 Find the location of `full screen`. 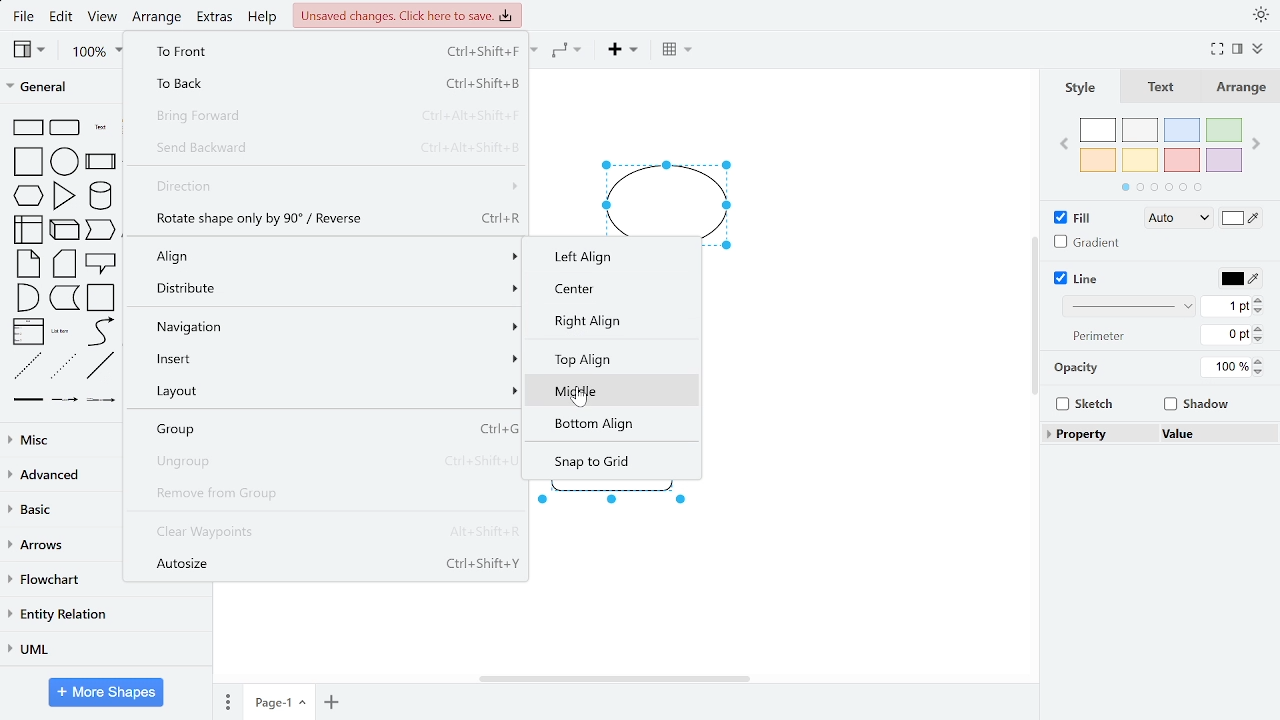

full screen is located at coordinates (1216, 50).